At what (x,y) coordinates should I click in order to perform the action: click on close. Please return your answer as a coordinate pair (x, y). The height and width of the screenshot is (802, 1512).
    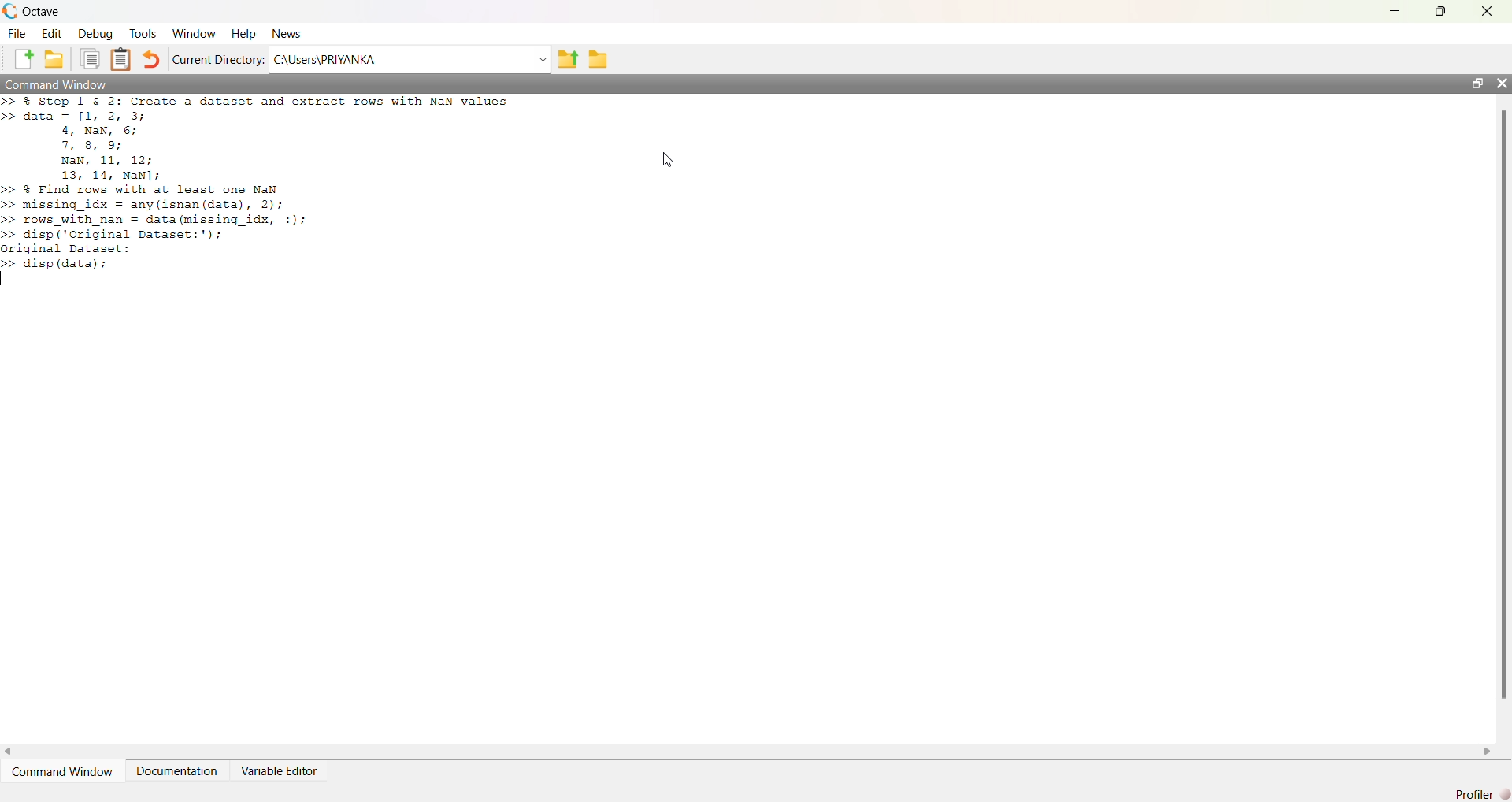
    Looking at the image, I should click on (1501, 83).